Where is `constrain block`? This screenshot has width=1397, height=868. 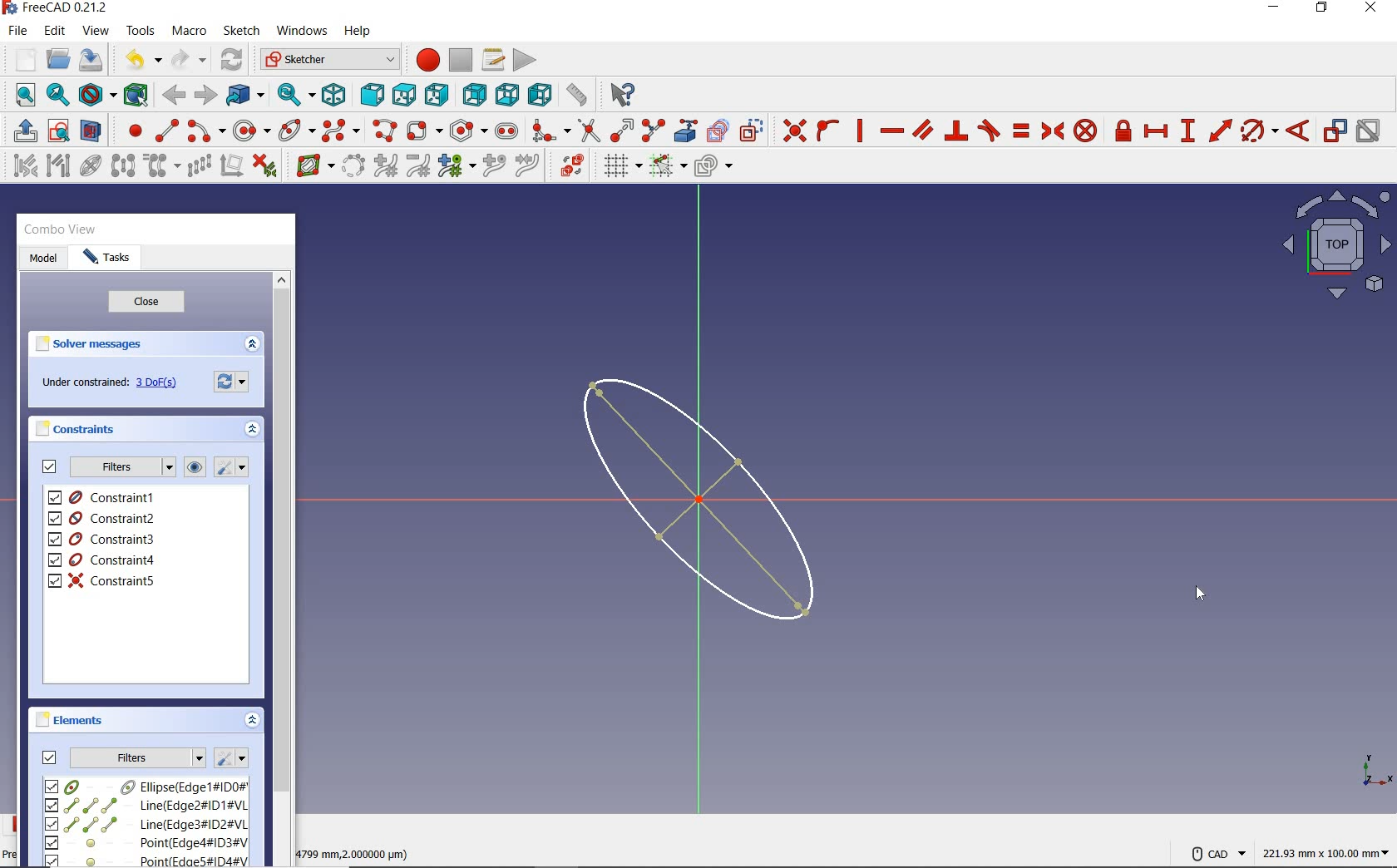 constrain block is located at coordinates (1084, 130).